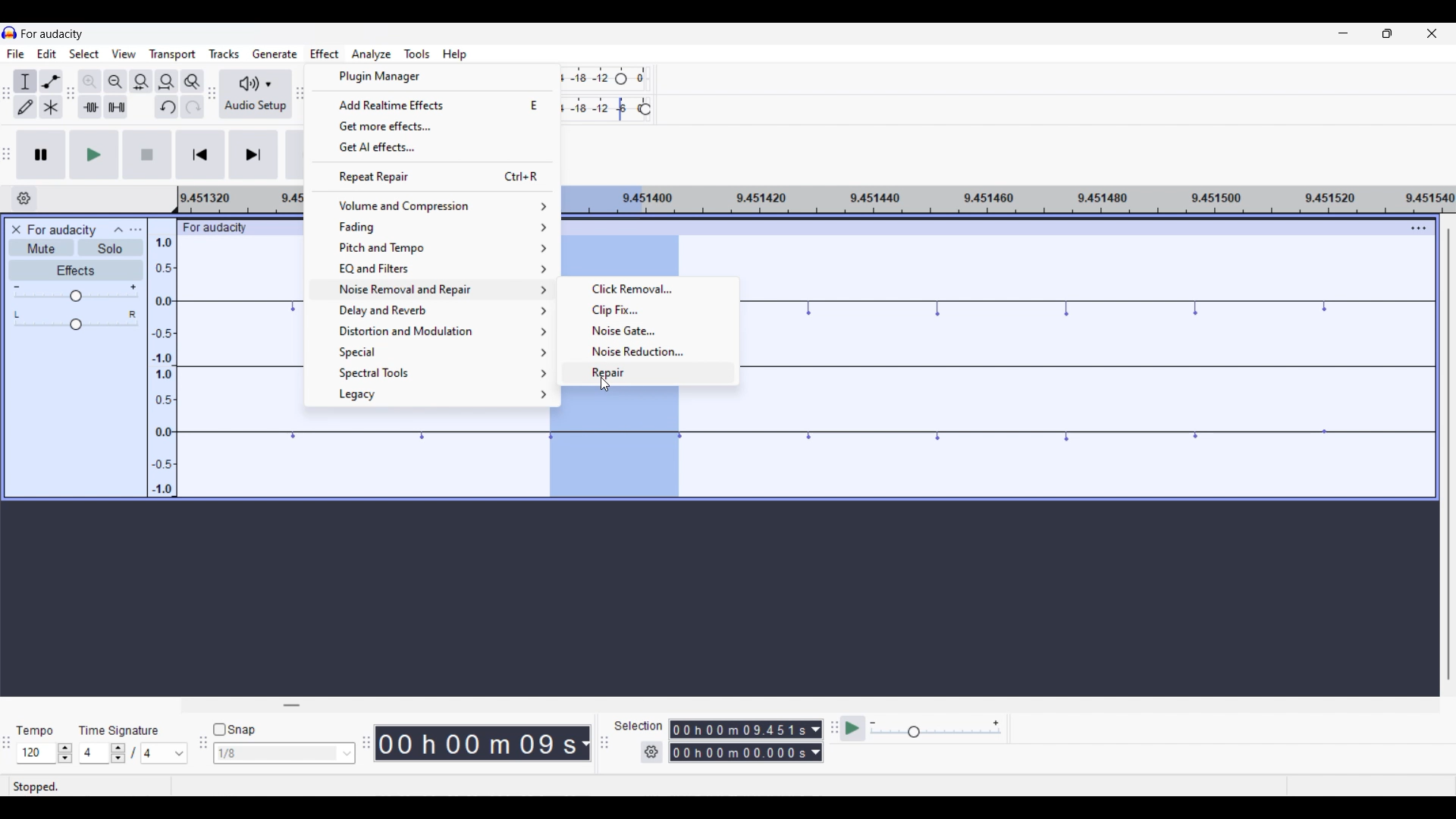 This screenshot has height=819, width=1456. What do you see at coordinates (124, 53) in the screenshot?
I see `View menu` at bounding box center [124, 53].